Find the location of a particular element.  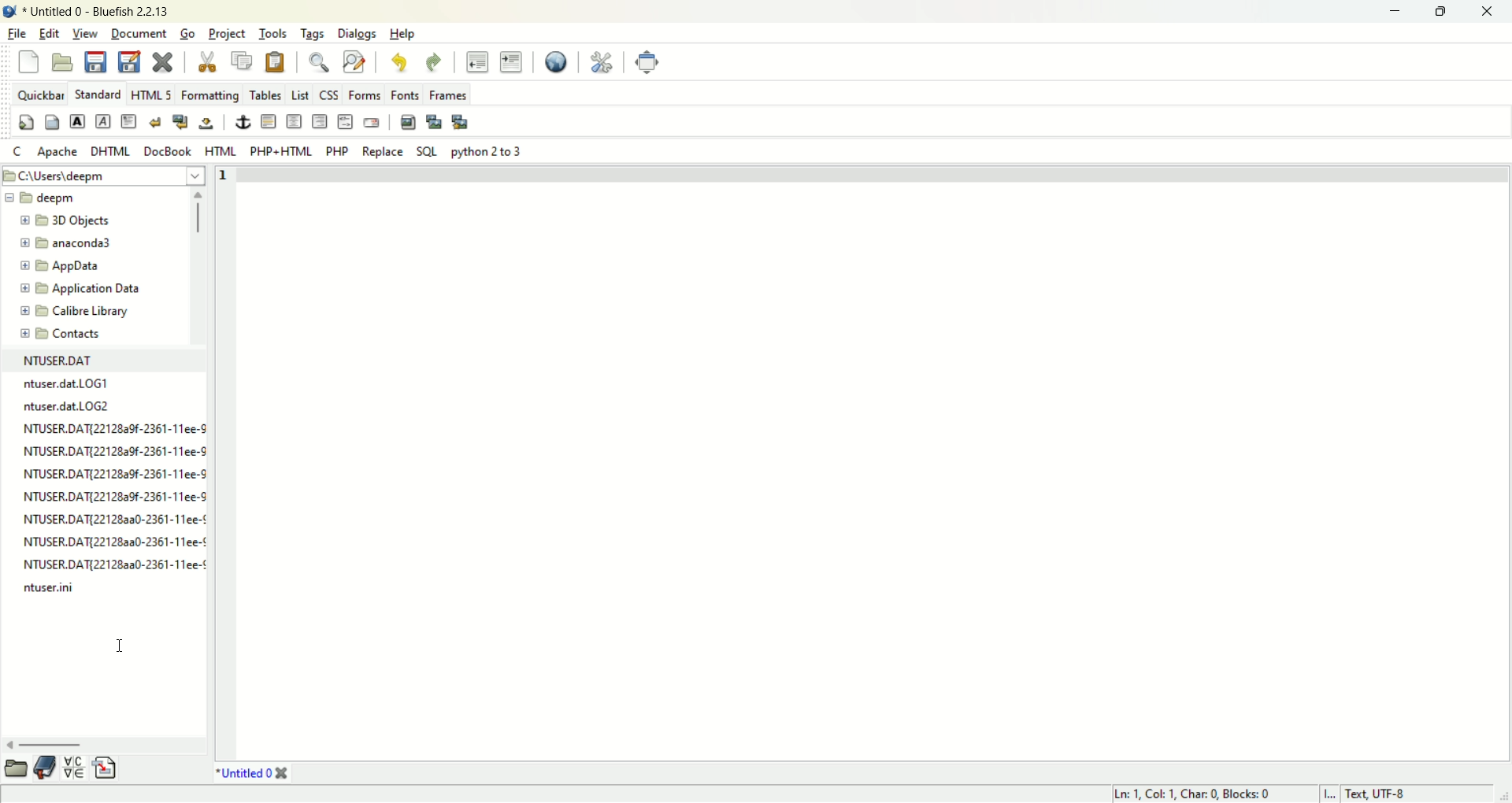

open file is located at coordinates (64, 61).